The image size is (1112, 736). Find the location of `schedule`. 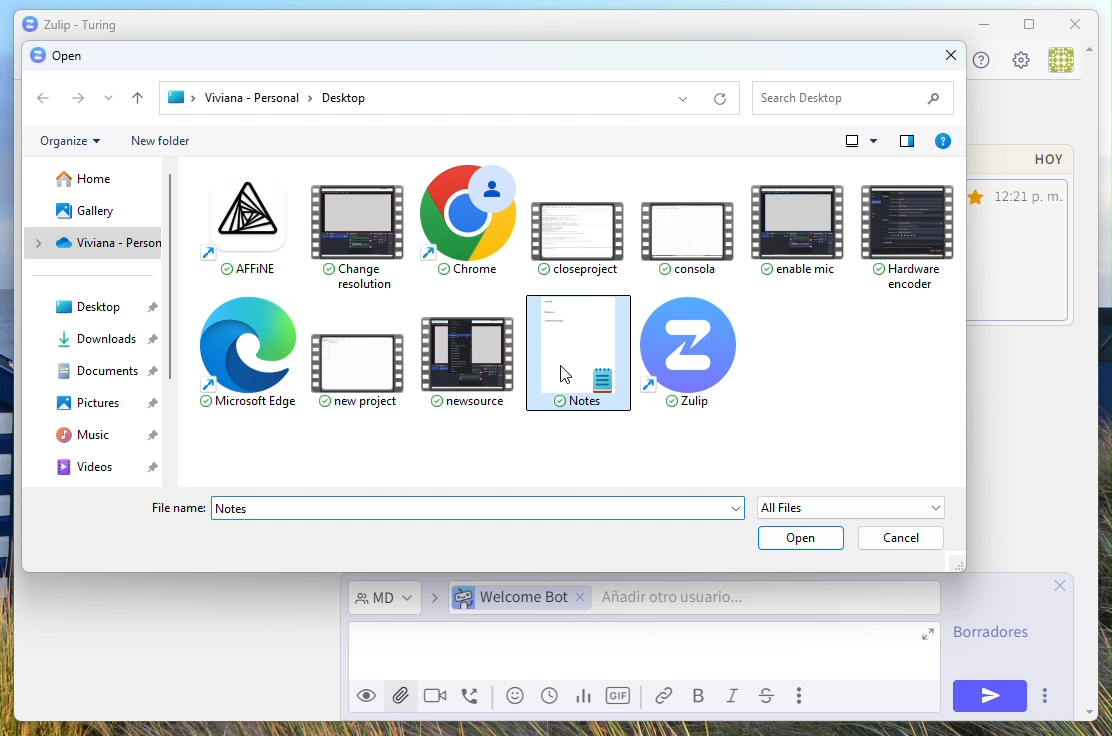

schedule is located at coordinates (550, 696).